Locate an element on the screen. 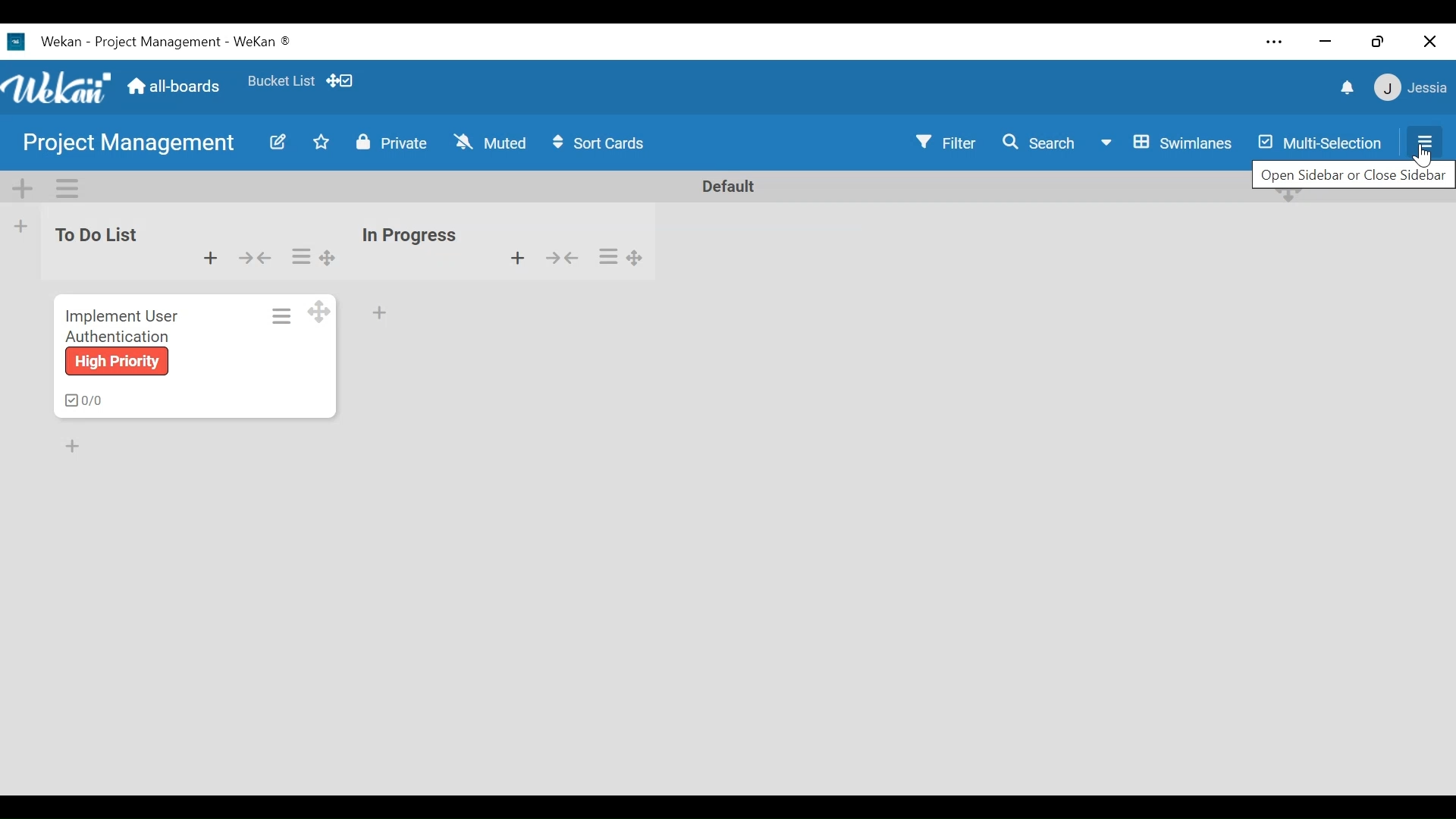  list Name is located at coordinates (408, 235).